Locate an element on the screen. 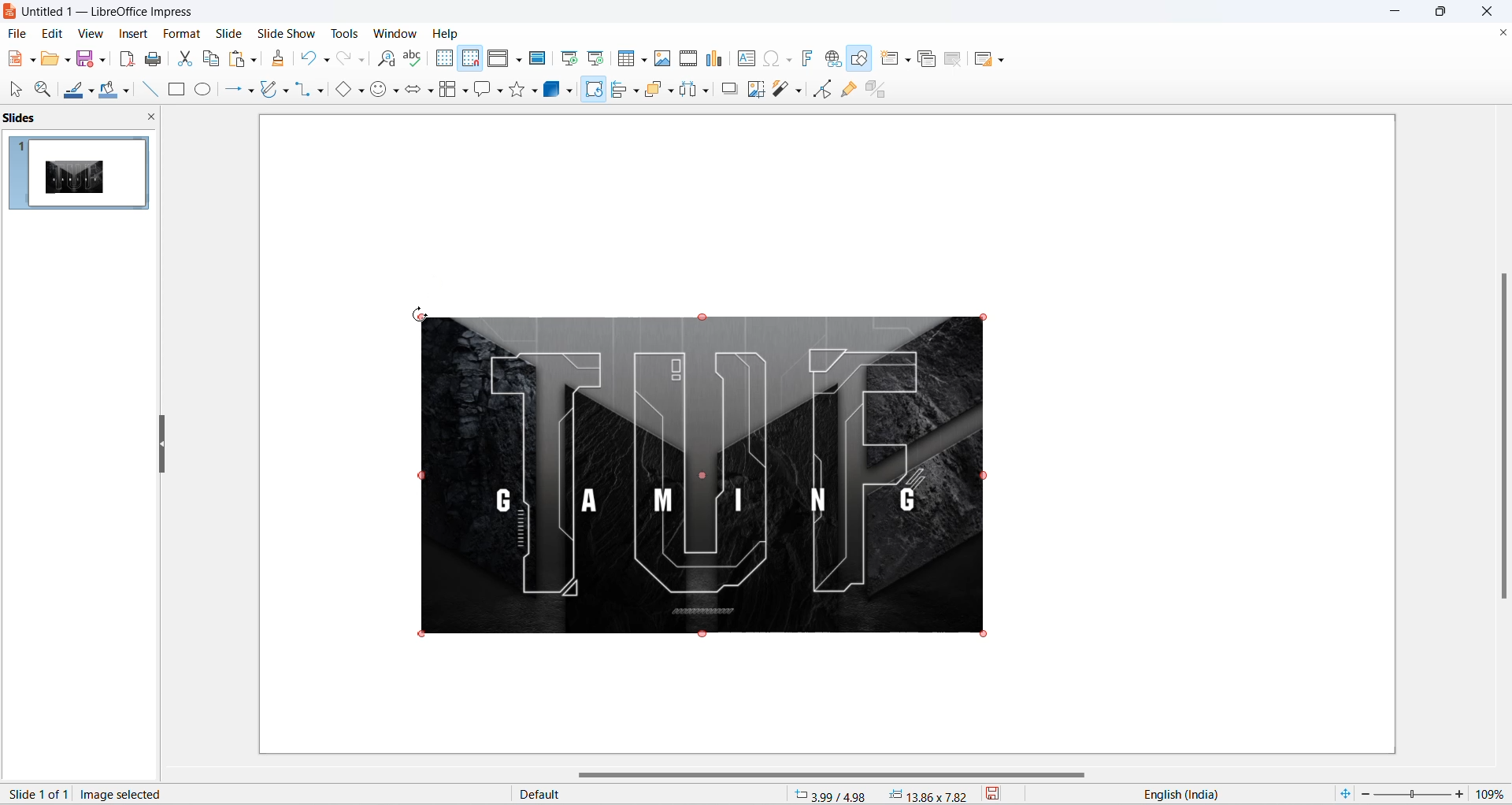 This screenshot has height=805, width=1512. view is located at coordinates (89, 33).